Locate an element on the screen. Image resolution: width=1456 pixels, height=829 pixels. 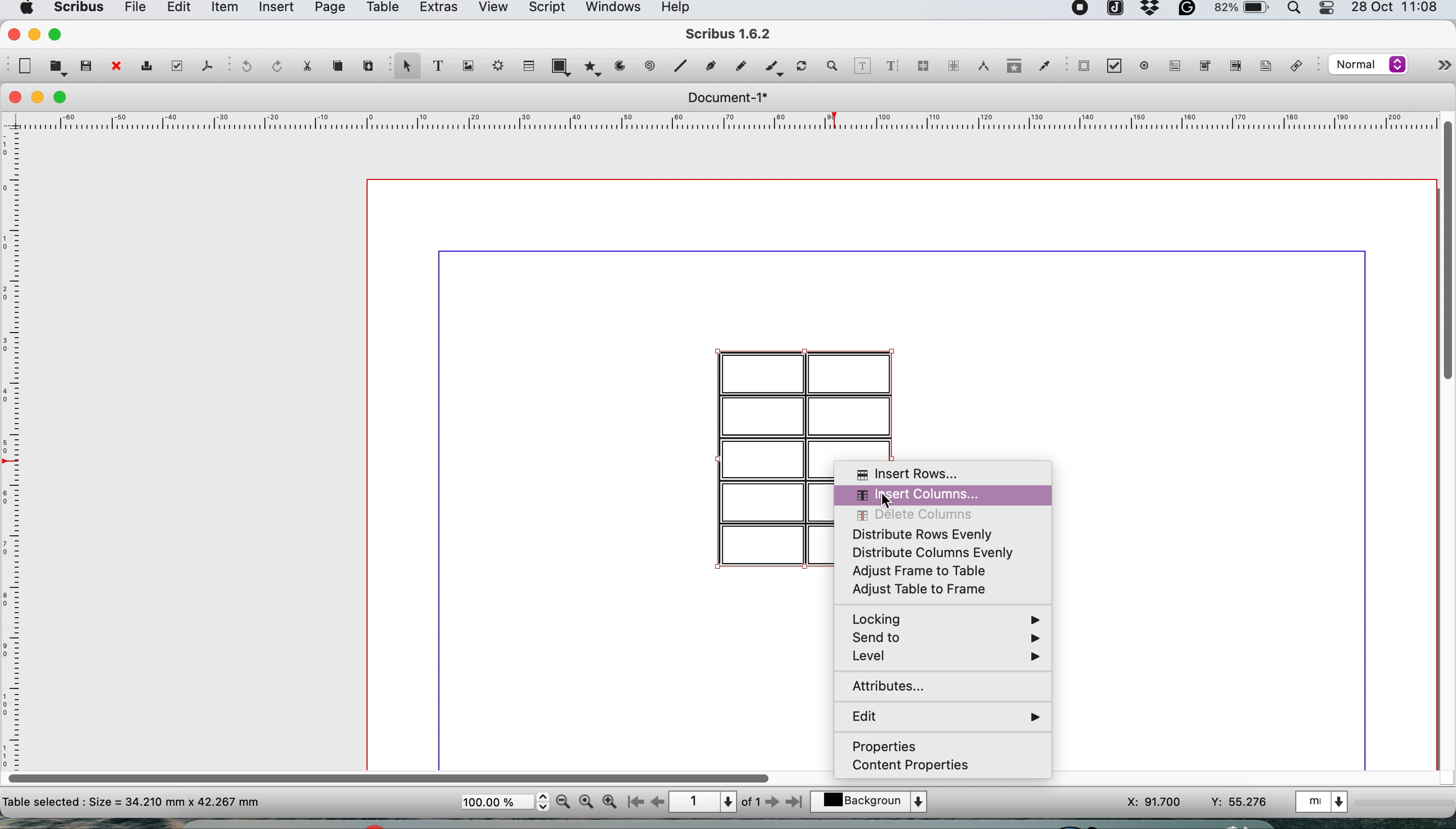
copy item properties is located at coordinates (1011, 69).